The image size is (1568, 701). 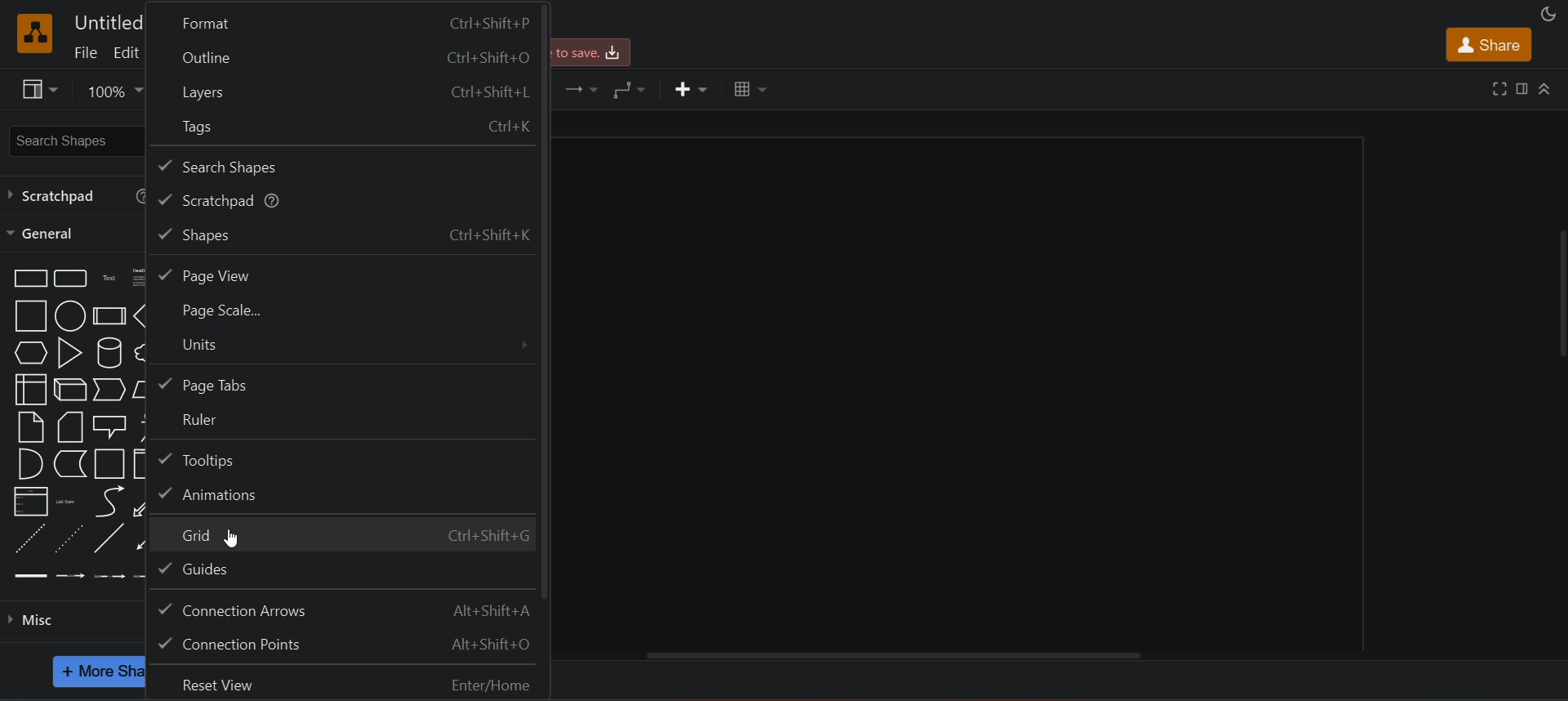 I want to click on process, so click(x=108, y=315).